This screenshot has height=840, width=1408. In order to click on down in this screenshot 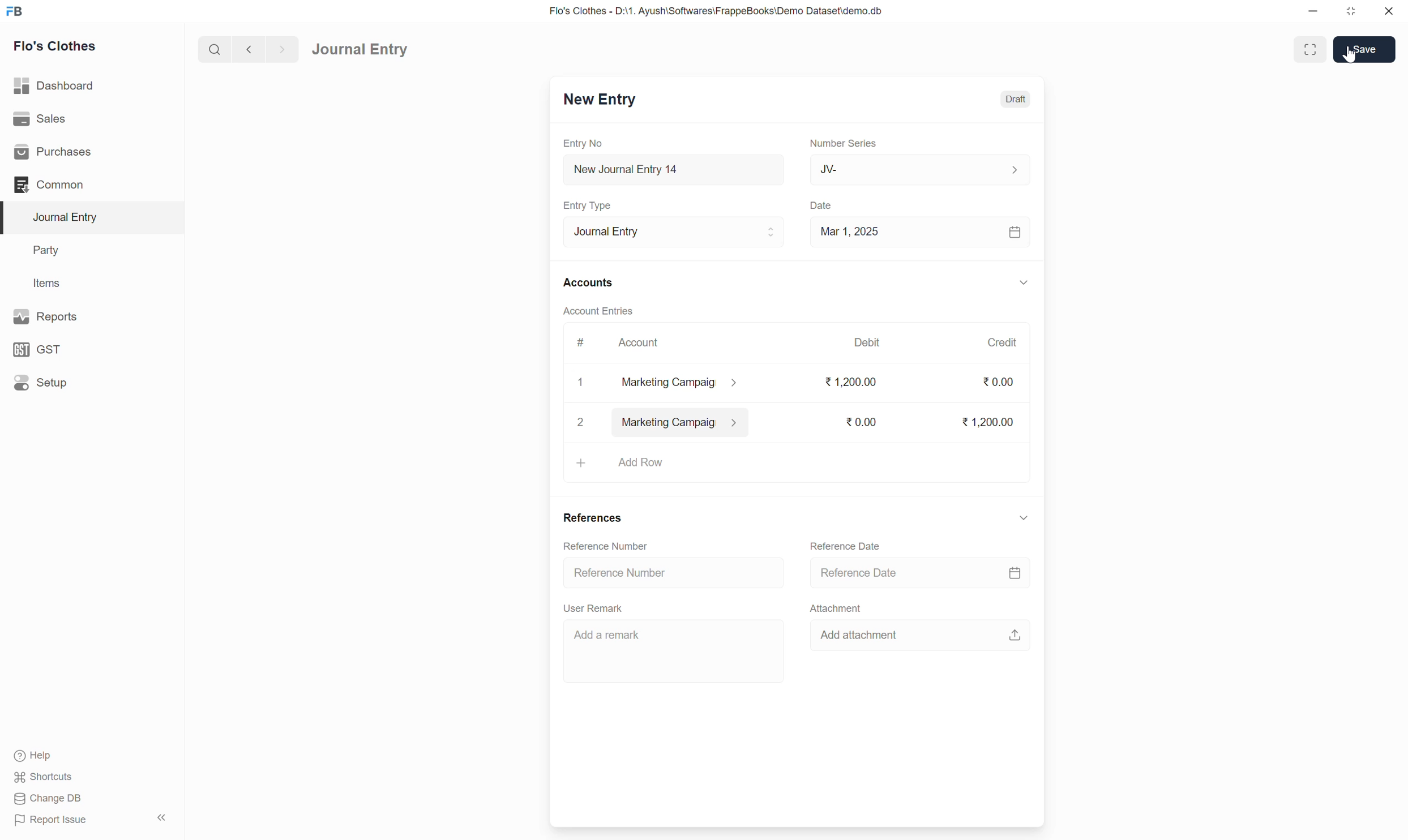, I will do `click(1023, 518)`.